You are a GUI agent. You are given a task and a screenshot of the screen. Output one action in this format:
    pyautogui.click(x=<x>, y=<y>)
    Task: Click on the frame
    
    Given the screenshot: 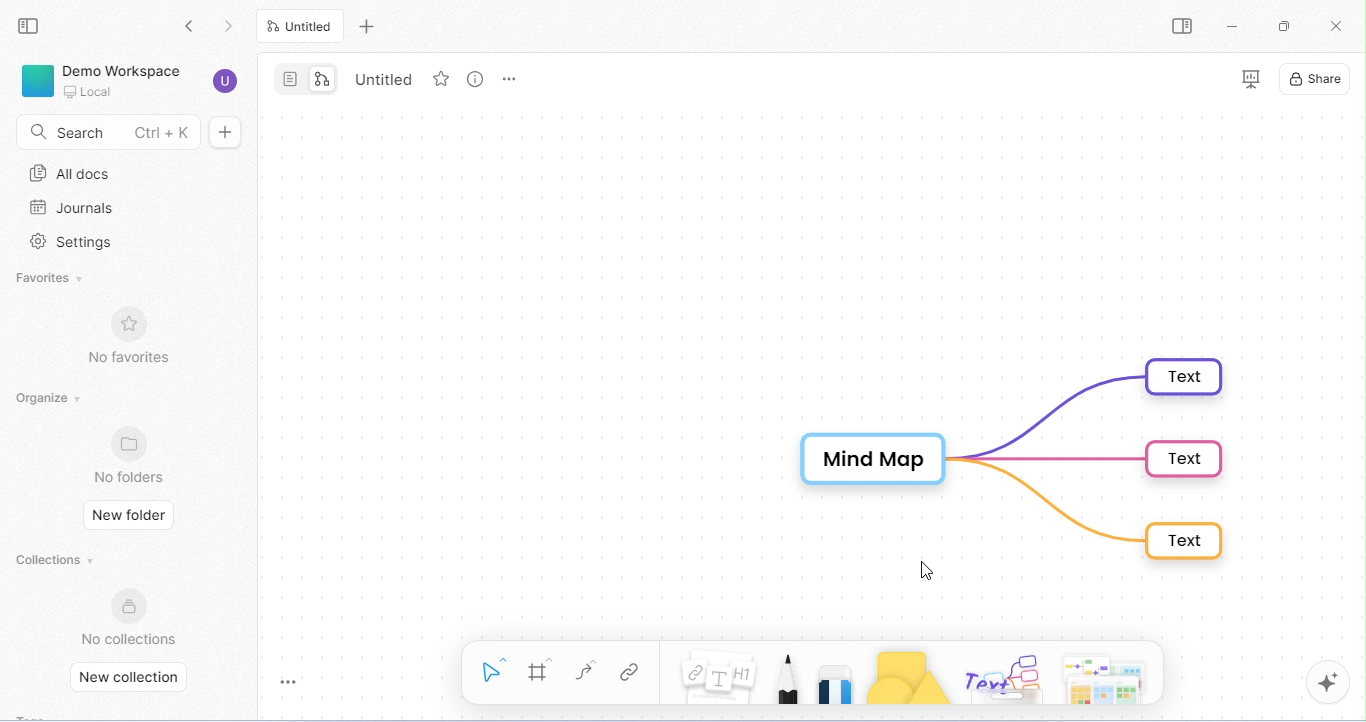 What is the action you would take?
    pyautogui.click(x=540, y=671)
    